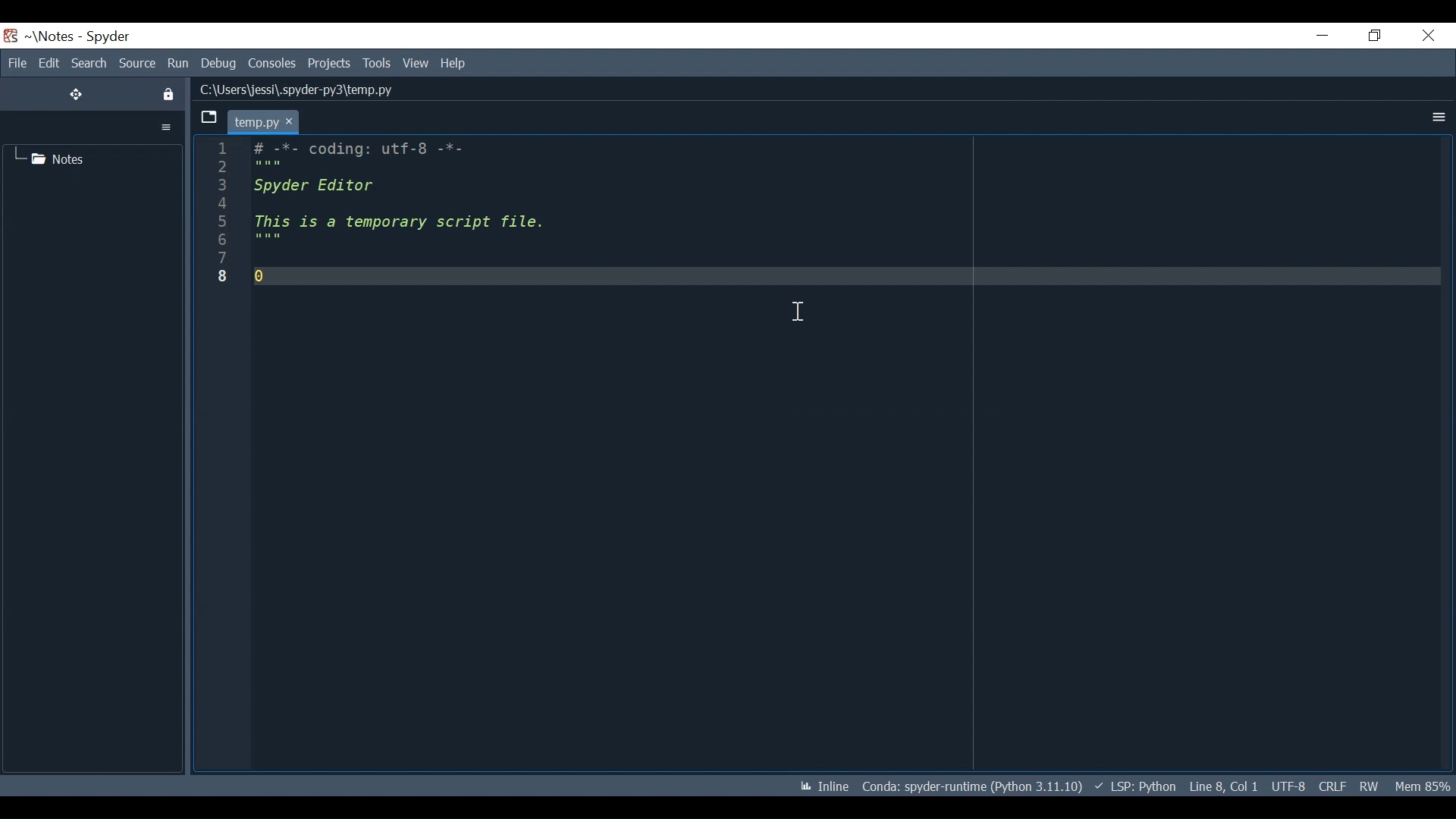 The image size is (1456, 819). I want to click on lock, so click(170, 95).